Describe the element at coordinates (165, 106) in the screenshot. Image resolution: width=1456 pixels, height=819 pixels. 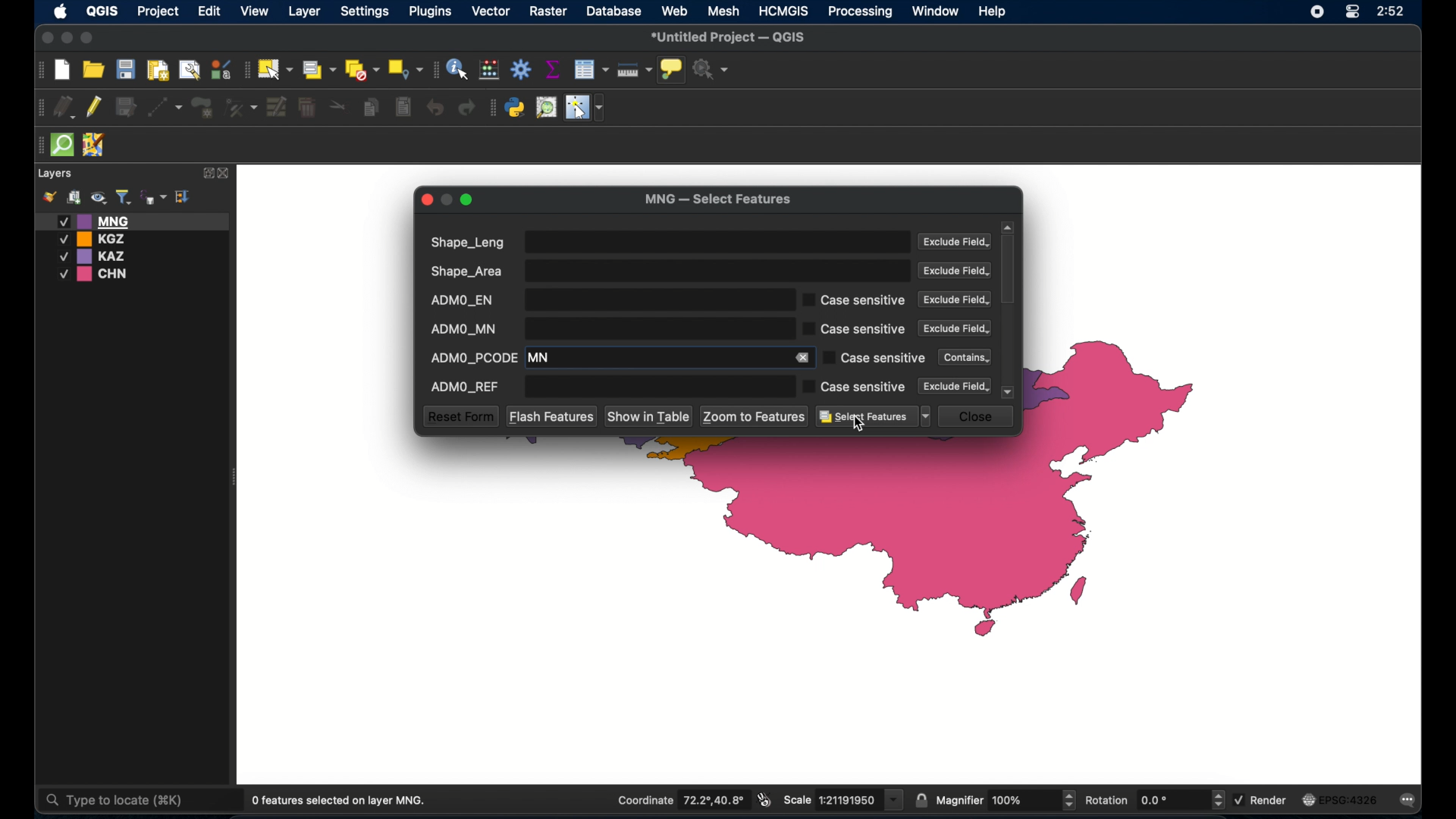
I see `digitize with segment` at that location.